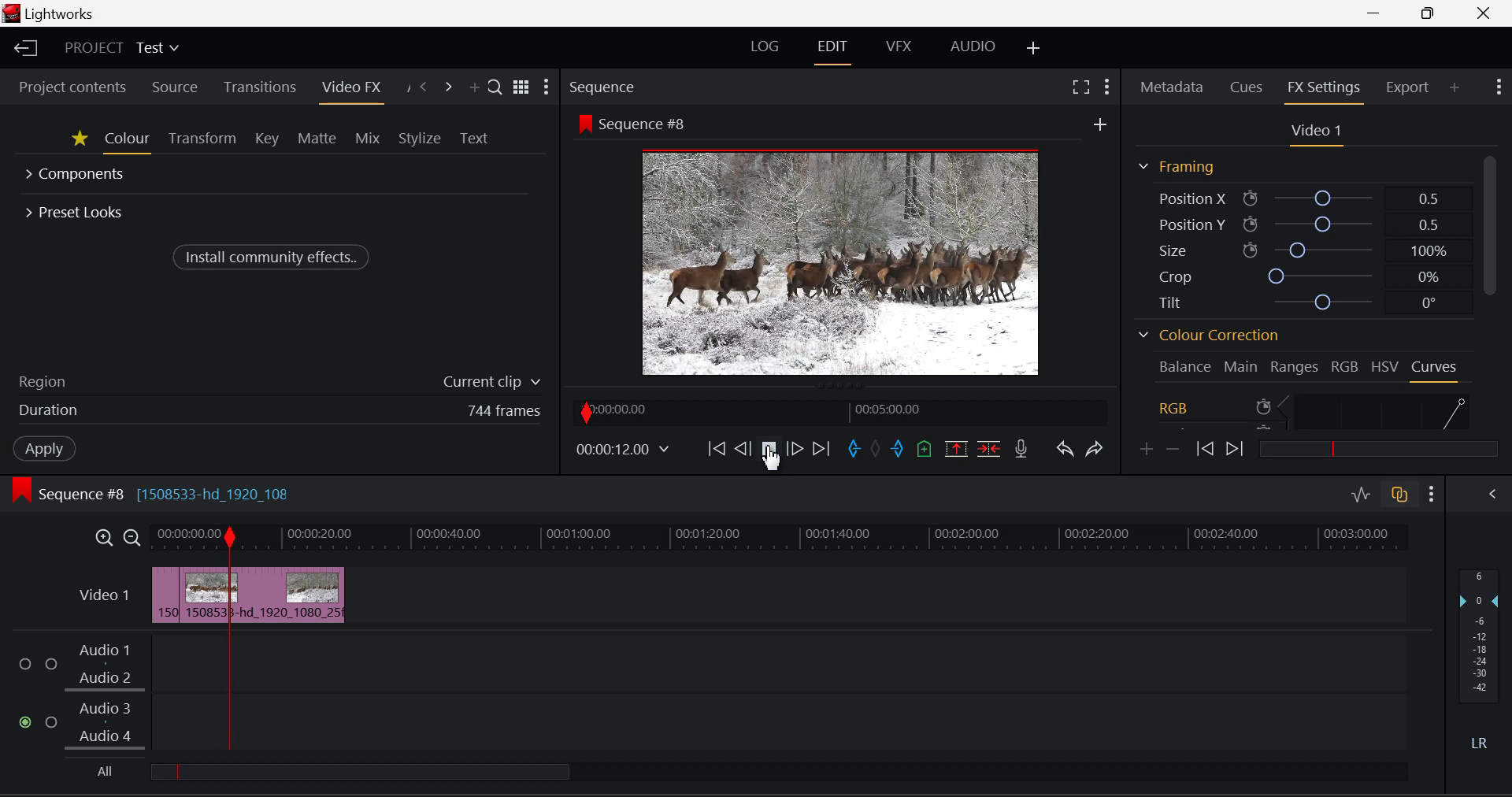  What do you see at coordinates (898, 449) in the screenshot?
I see `Mark Out` at bounding box center [898, 449].